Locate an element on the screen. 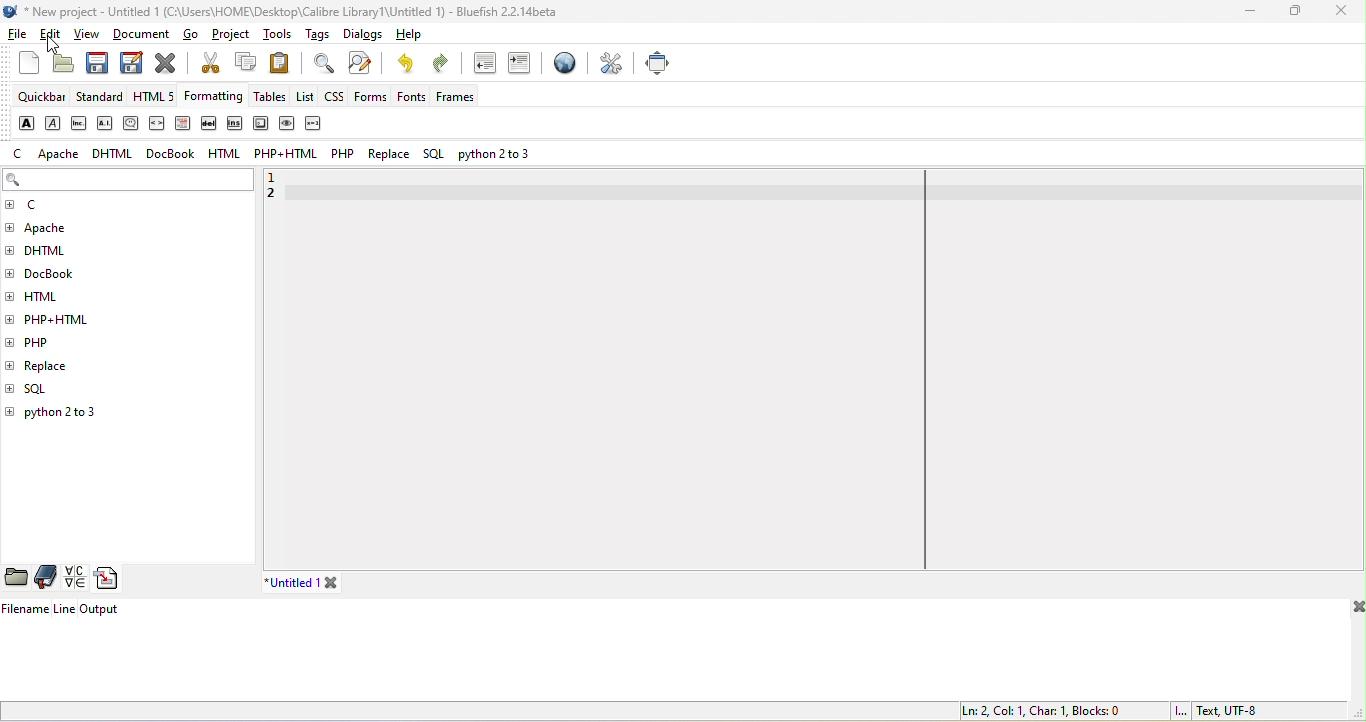  dhtml is located at coordinates (115, 152).